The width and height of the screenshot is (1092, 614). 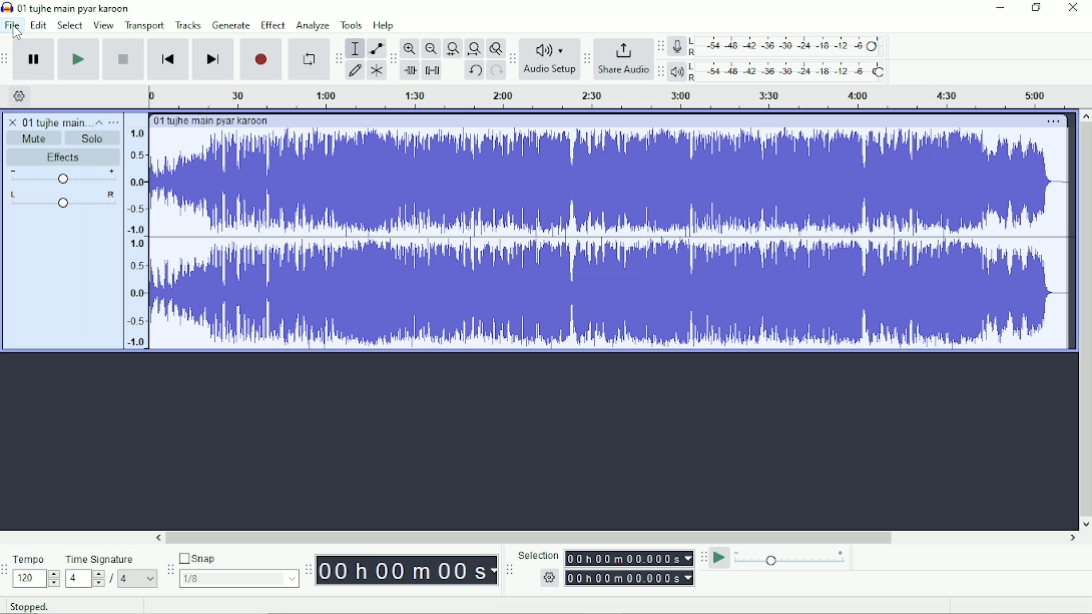 What do you see at coordinates (95, 138) in the screenshot?
I see `Solo` at bounding box center [95, 138].